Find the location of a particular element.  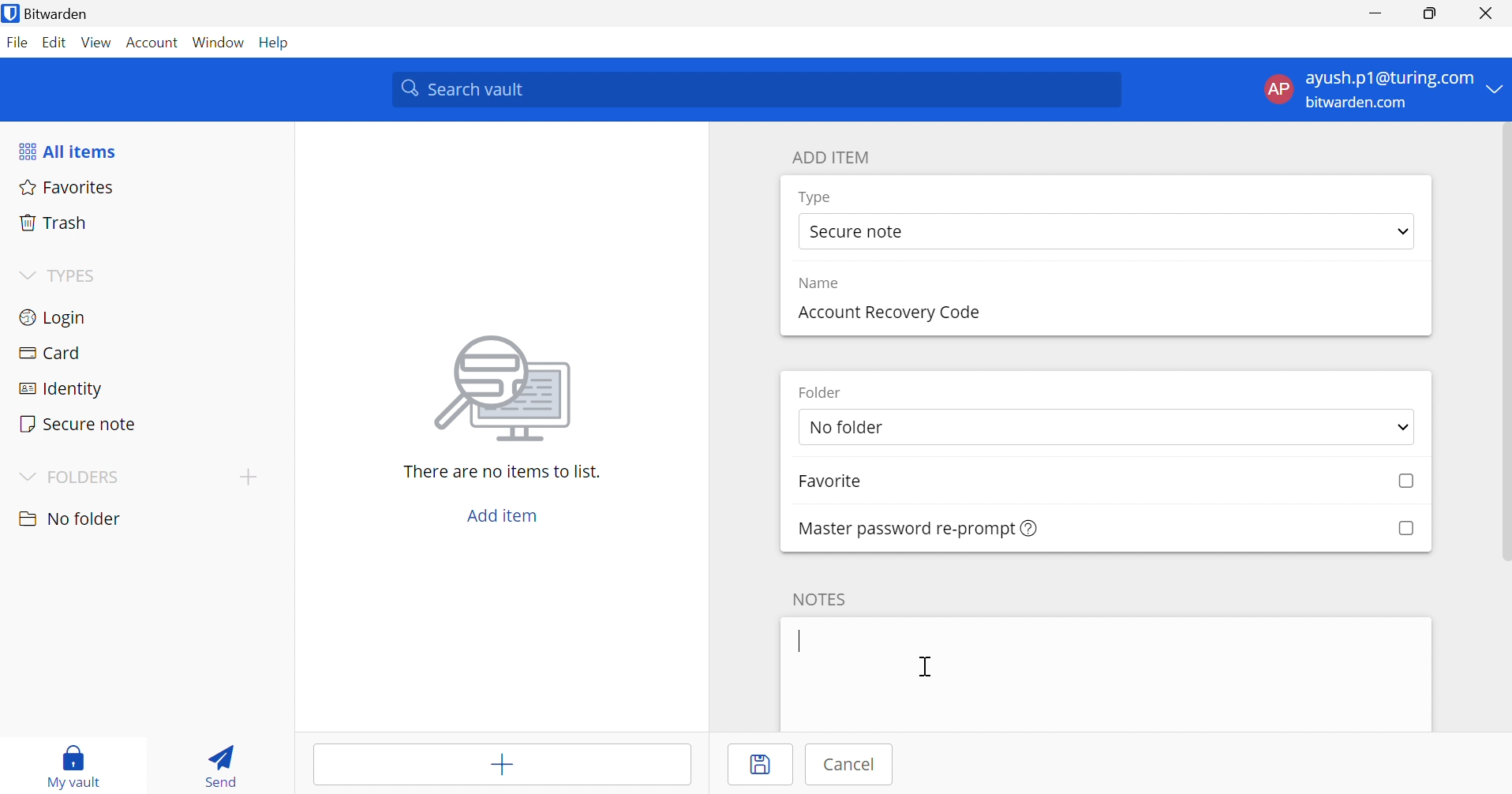

No folder is located at coordinates (73, 519).